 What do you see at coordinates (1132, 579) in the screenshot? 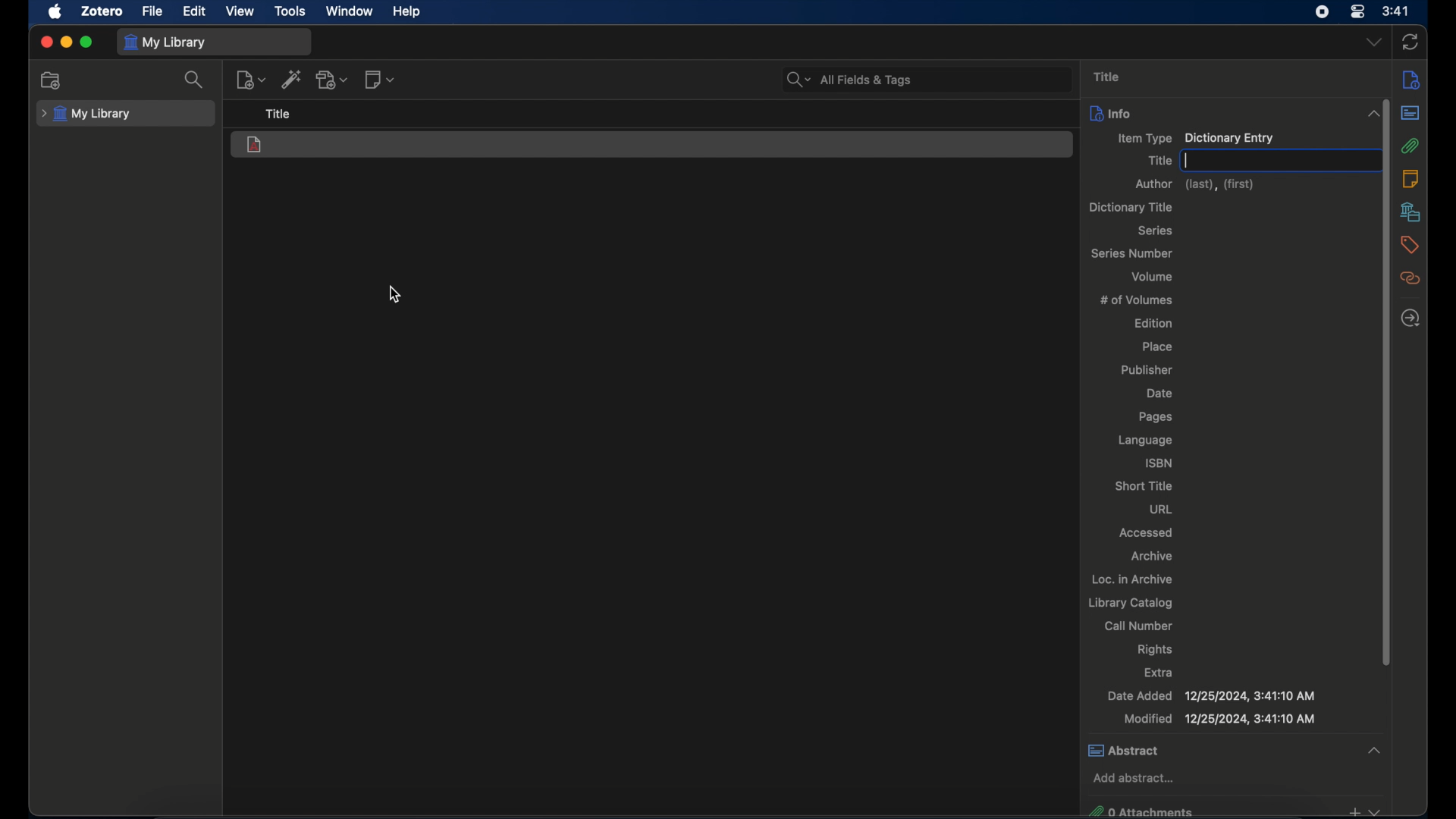
I see `loc. in archive` at bounding box center [1132, 579].